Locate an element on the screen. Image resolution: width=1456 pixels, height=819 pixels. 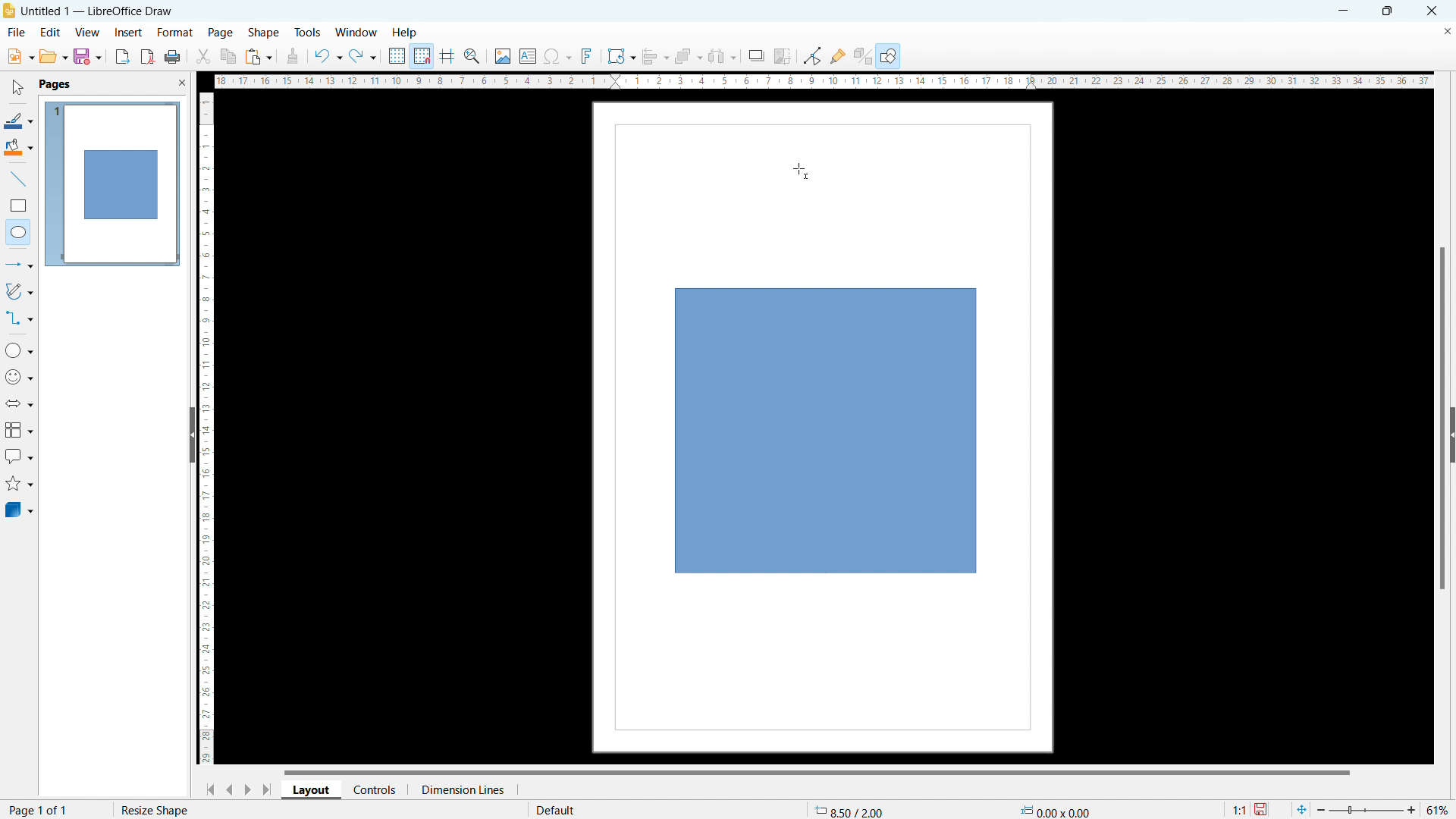
clone formatting is located at coordinates (293, 57).